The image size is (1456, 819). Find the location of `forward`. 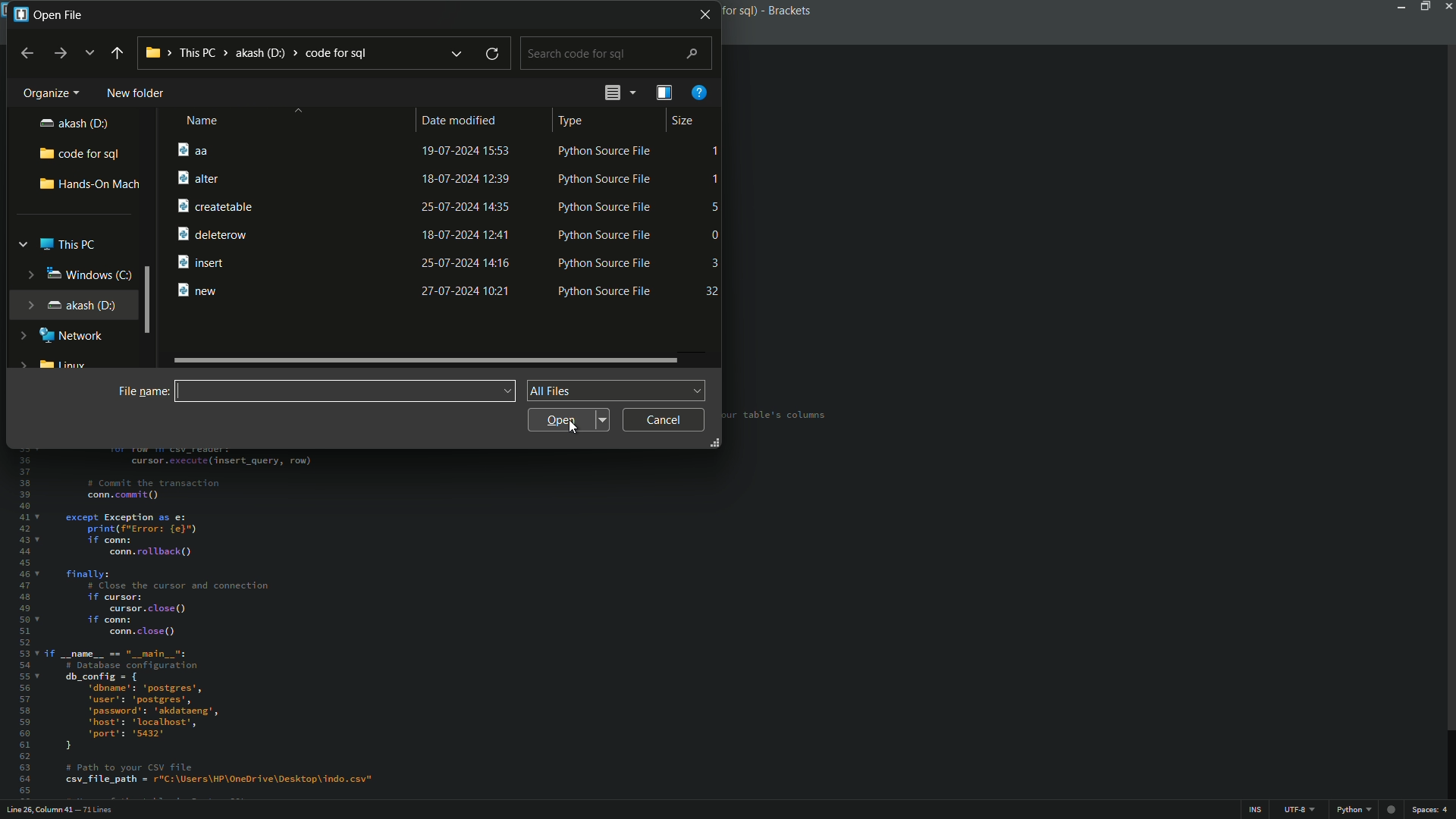

forward is located at coordinates (58, 54).